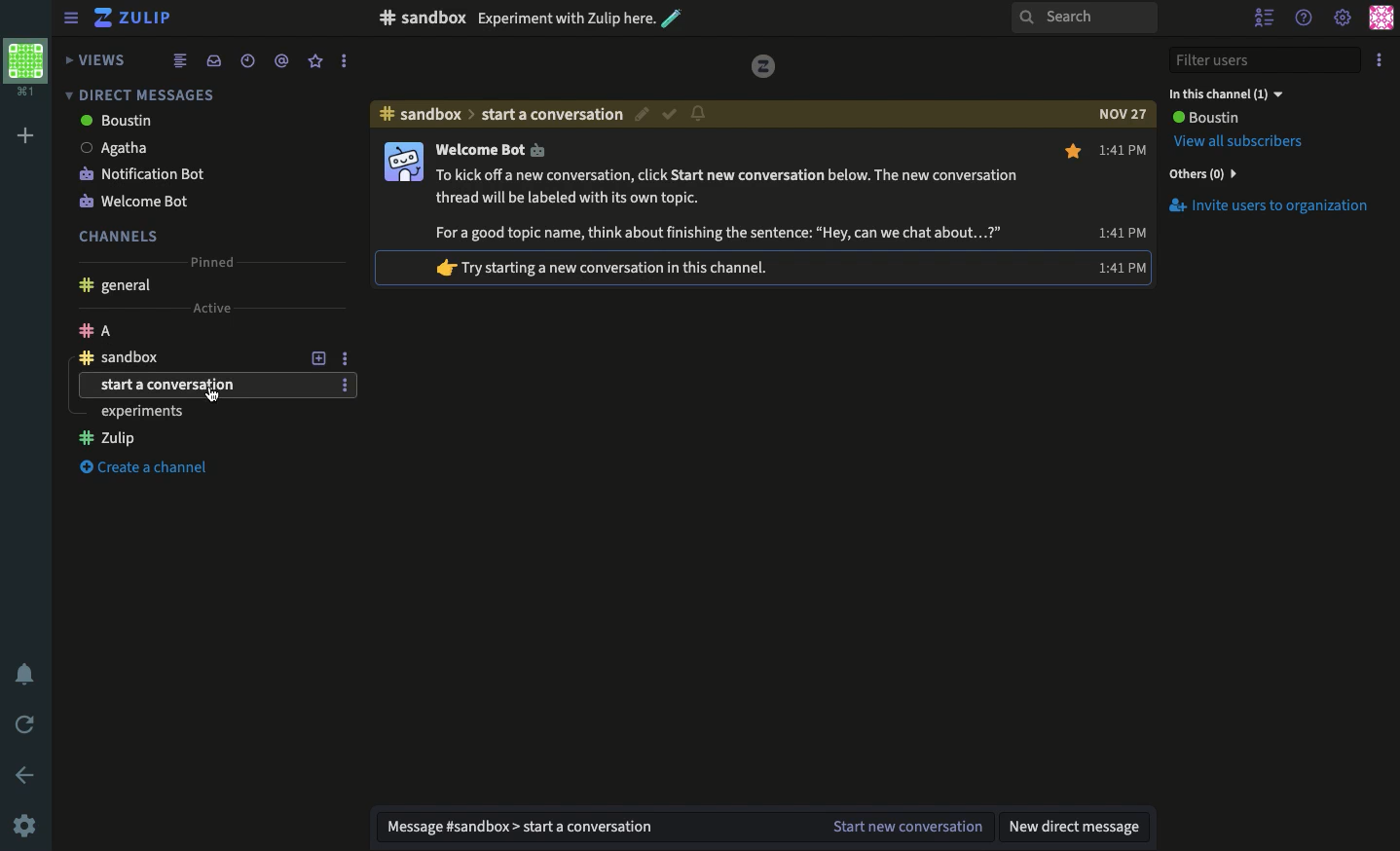  What do you see at coordinates (119, 236) in the screenshot?
I see `Channels` at bounding box center [119, 236].